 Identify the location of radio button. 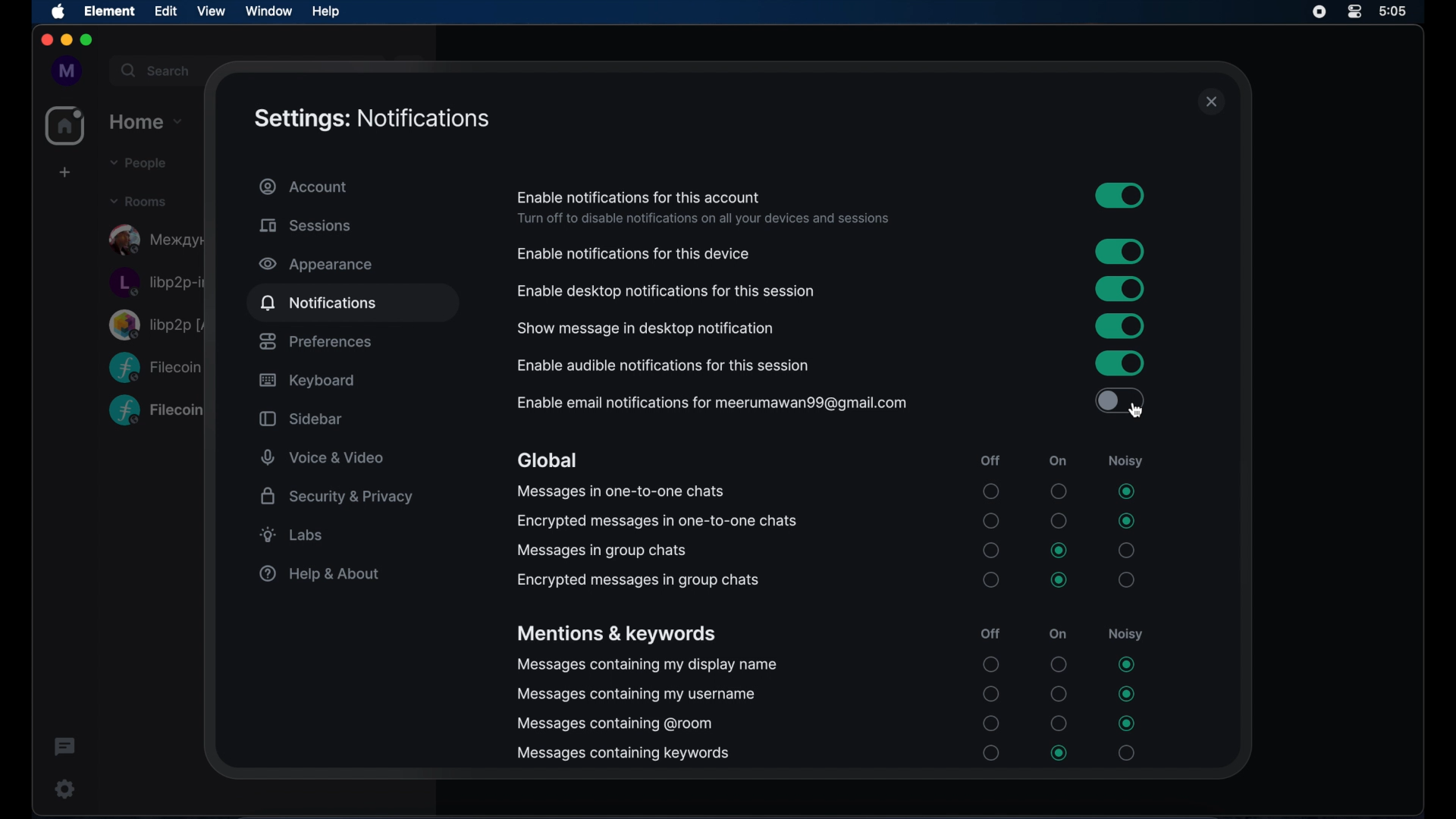
(1126, 521).